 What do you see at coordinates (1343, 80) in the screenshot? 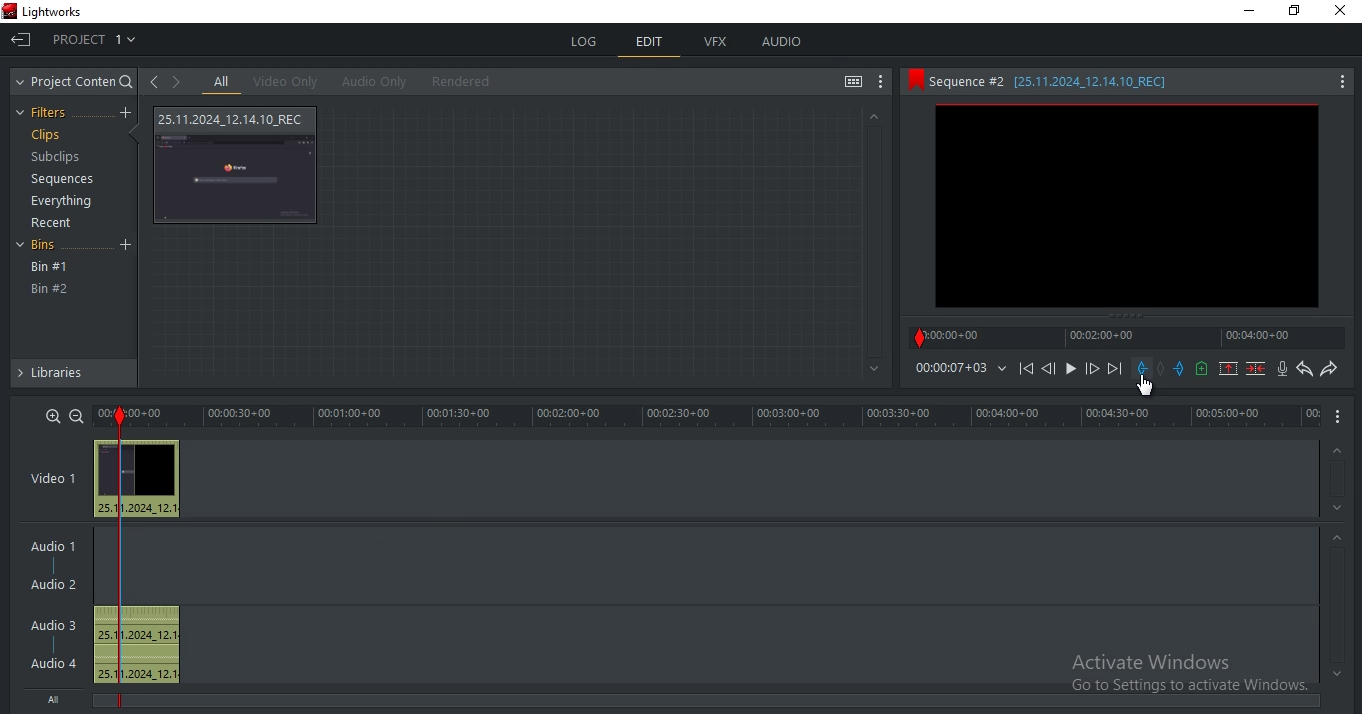
I see `More Options` at bounding box center [1343, 80].